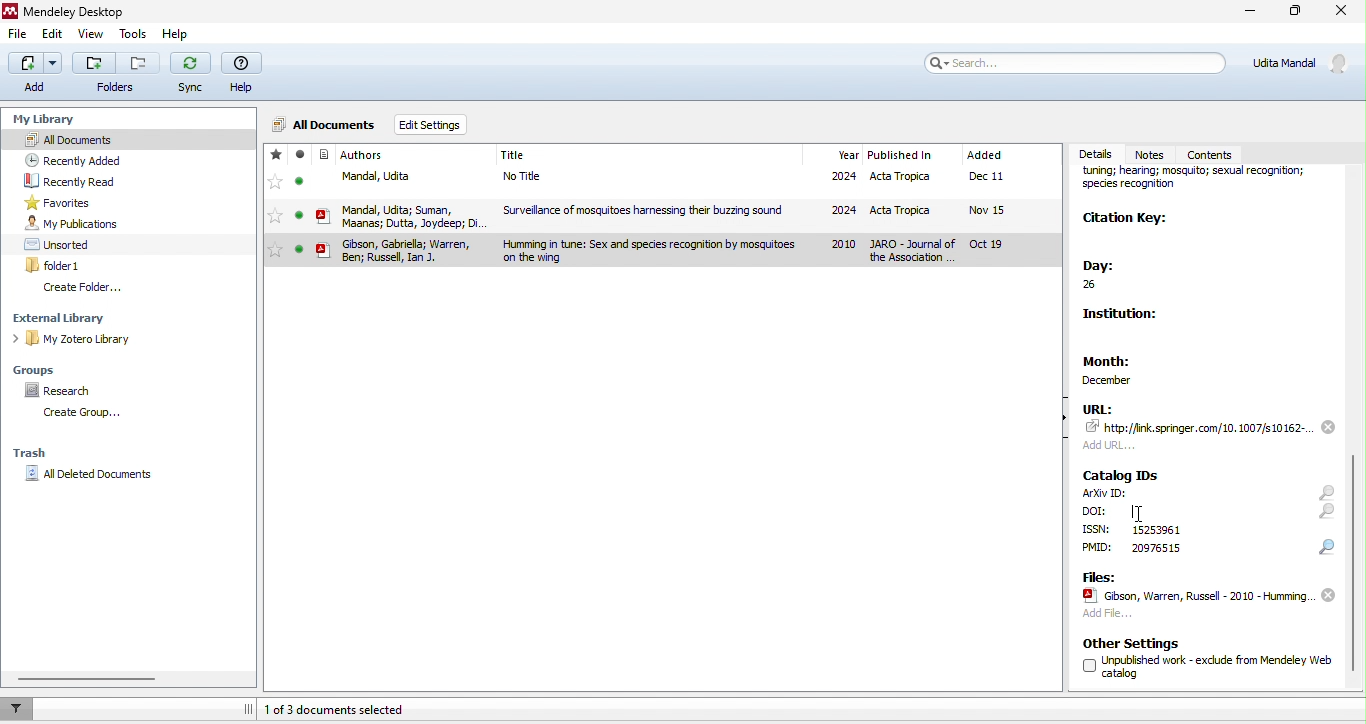 The image size is (1366, 724). Describe the element at coordinates (1074, 64) in the screenshot. I see `search bar` at that location.